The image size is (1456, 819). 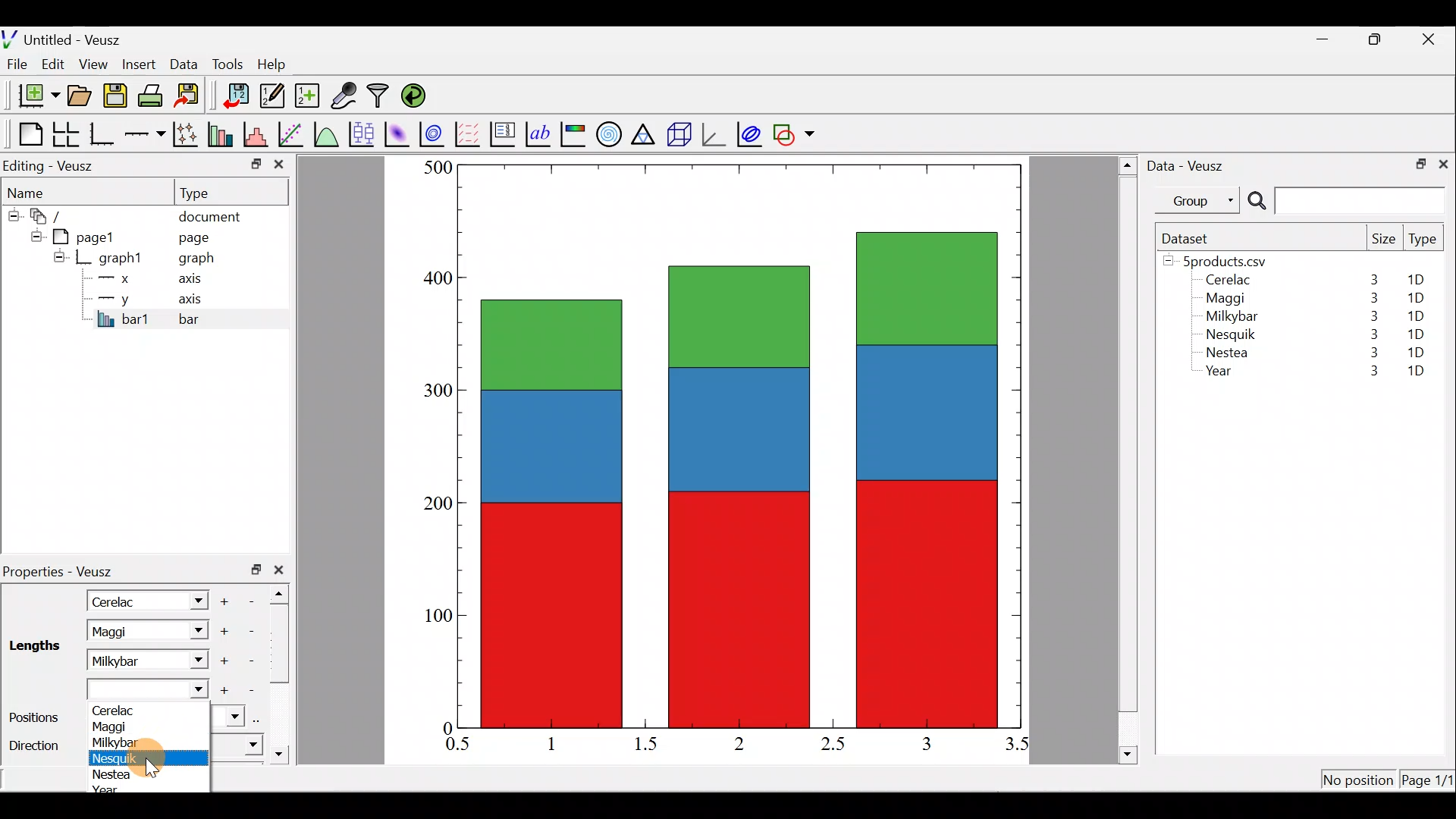 I want to click on Plot a vector field, so click(x=470, y=134).